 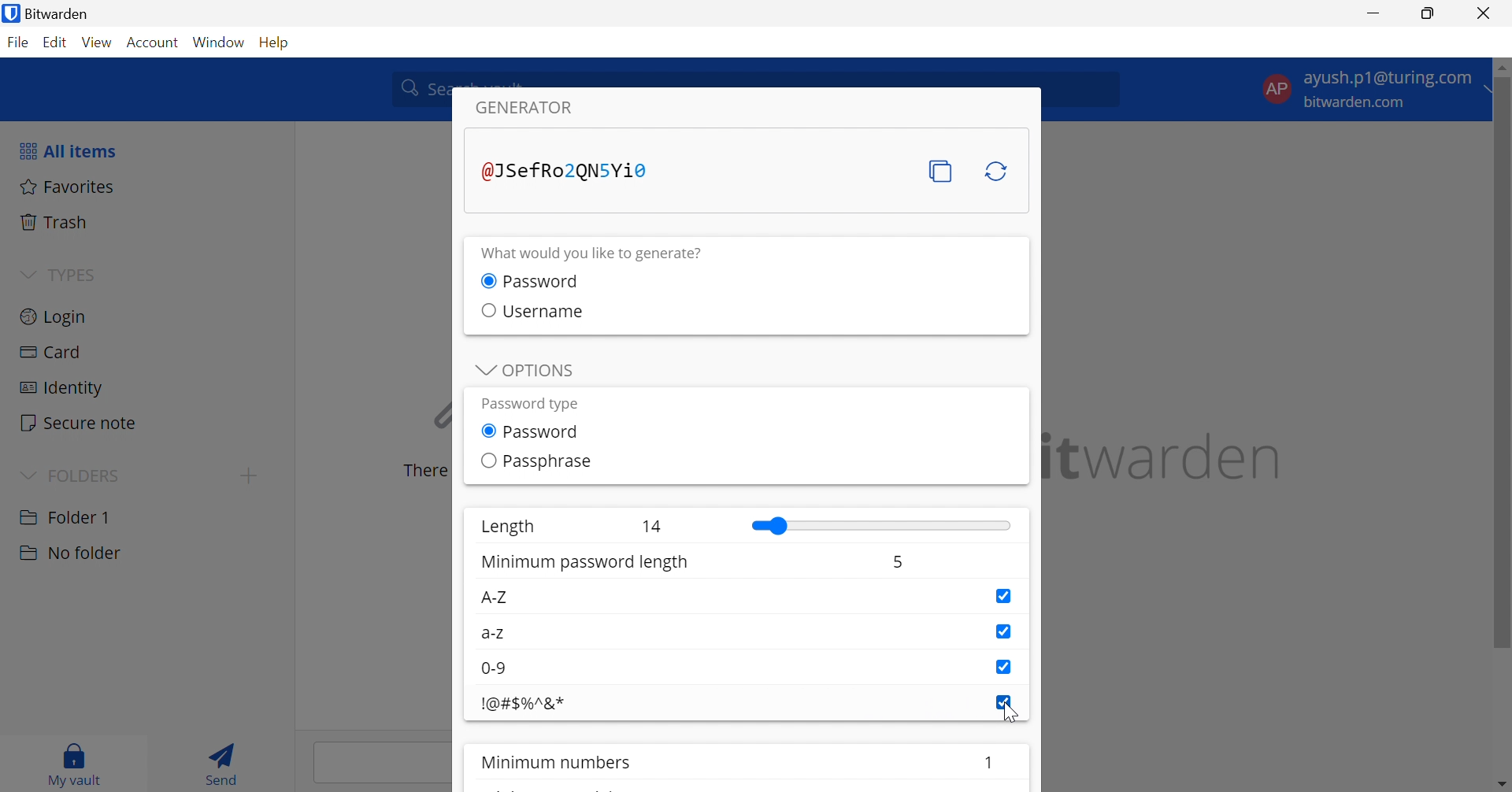 I want to click on Minimum password length, so click(x=587, y=564).